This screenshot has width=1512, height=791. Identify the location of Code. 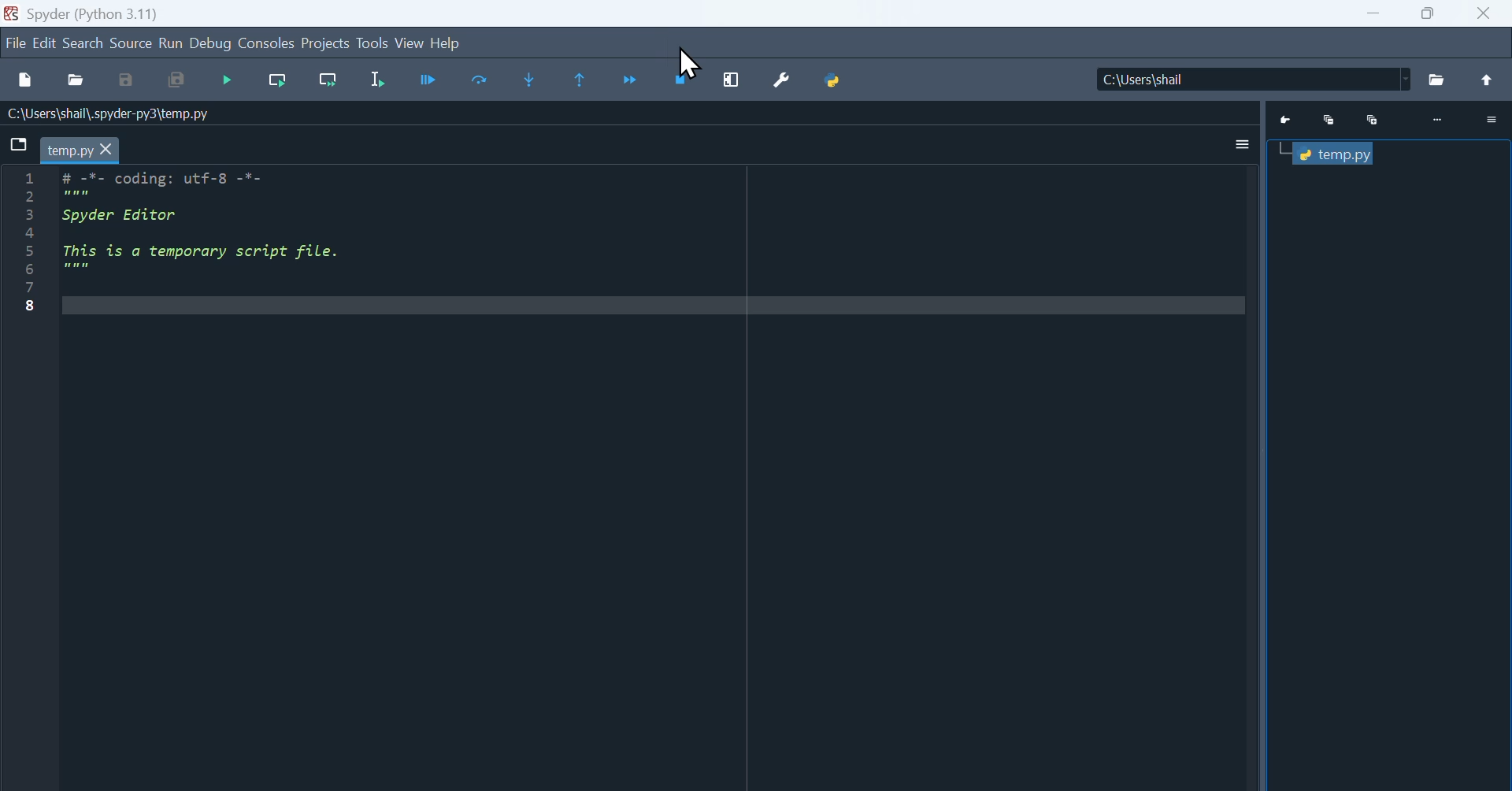
(217, 225).